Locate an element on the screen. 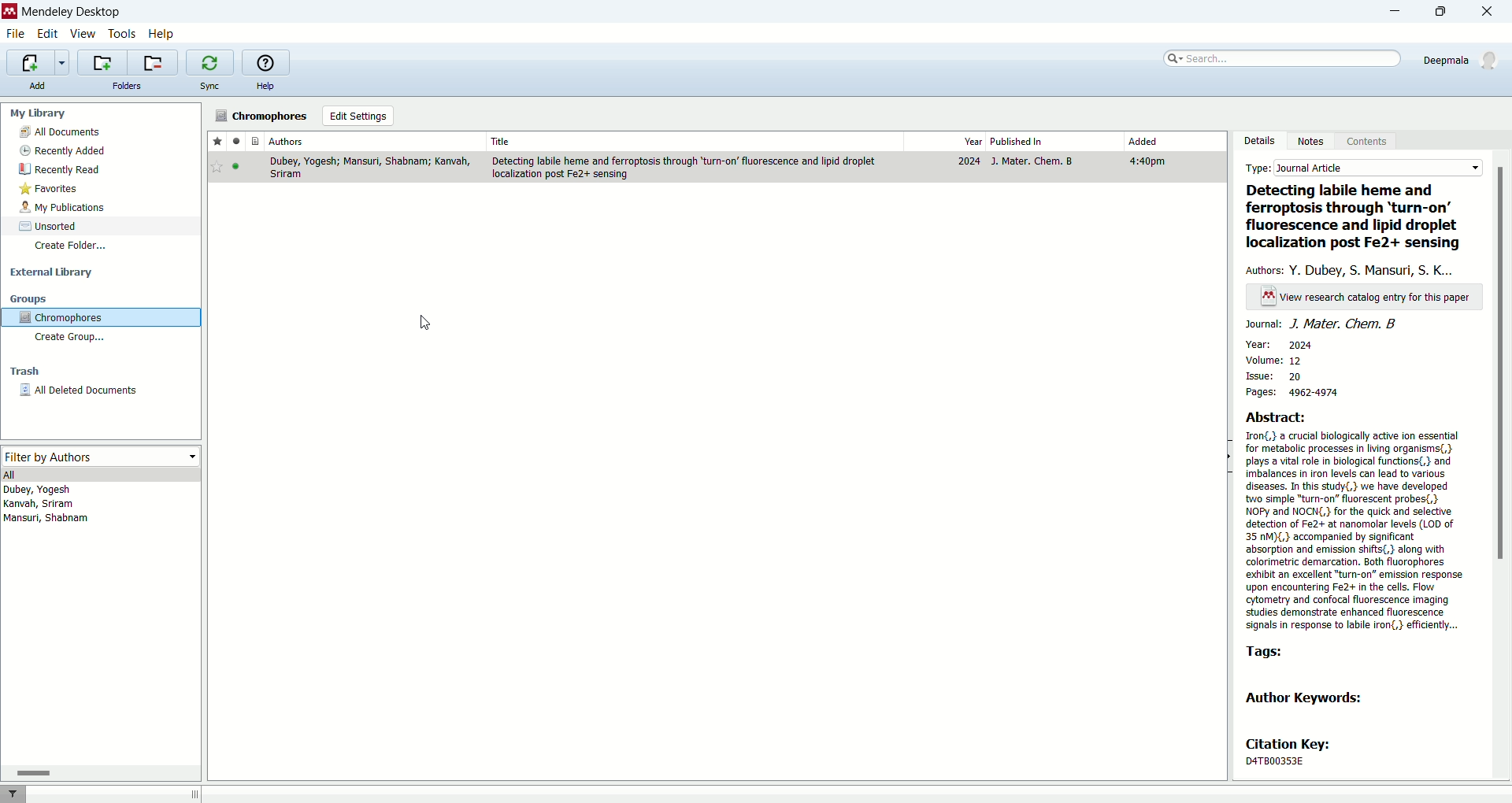 This screenshot has height=803, width=1512. documents is located at coordinates (253, 142).